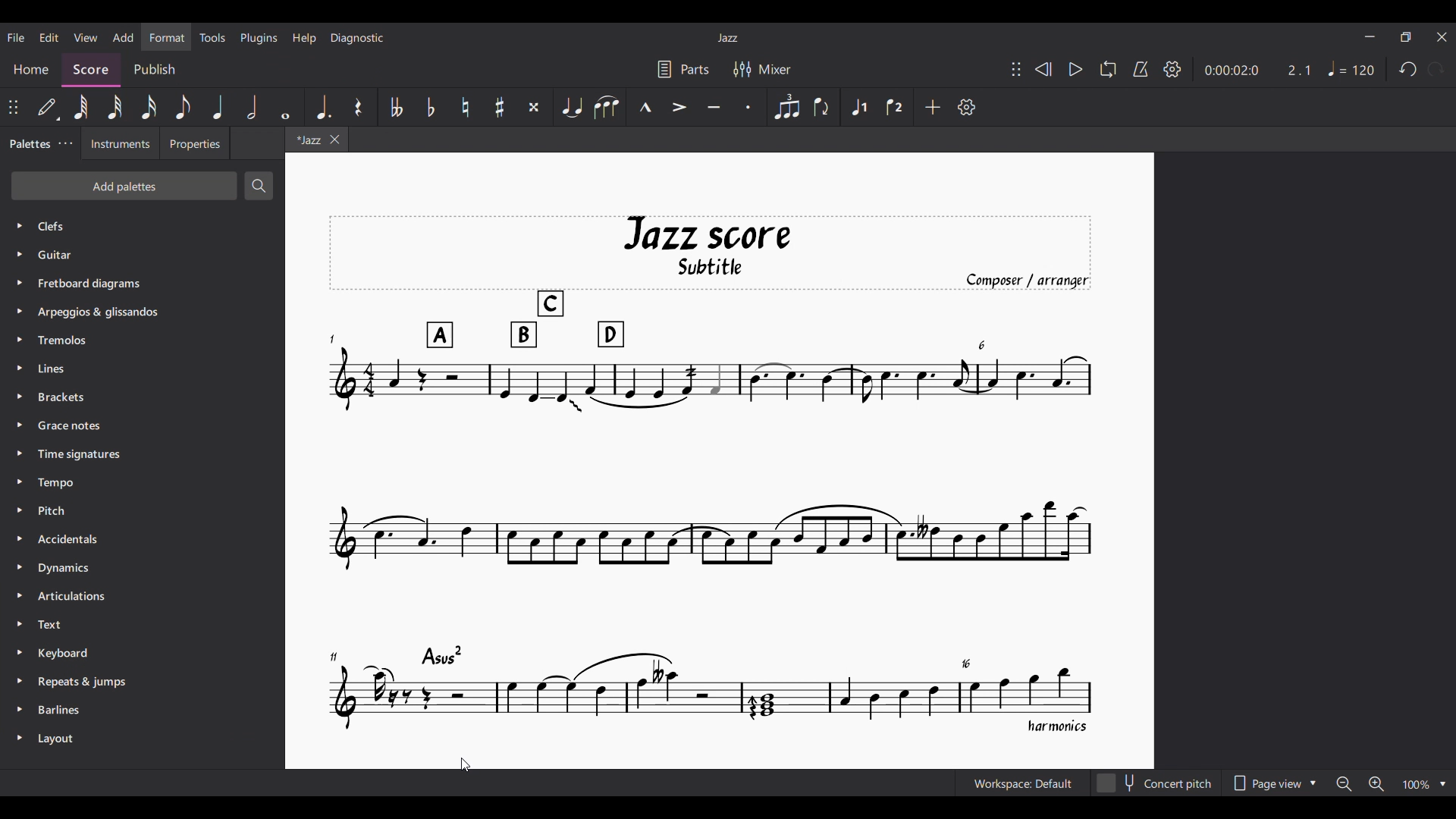 The image size is (1456, 819). I want to click on Change position, so click(13, 107).